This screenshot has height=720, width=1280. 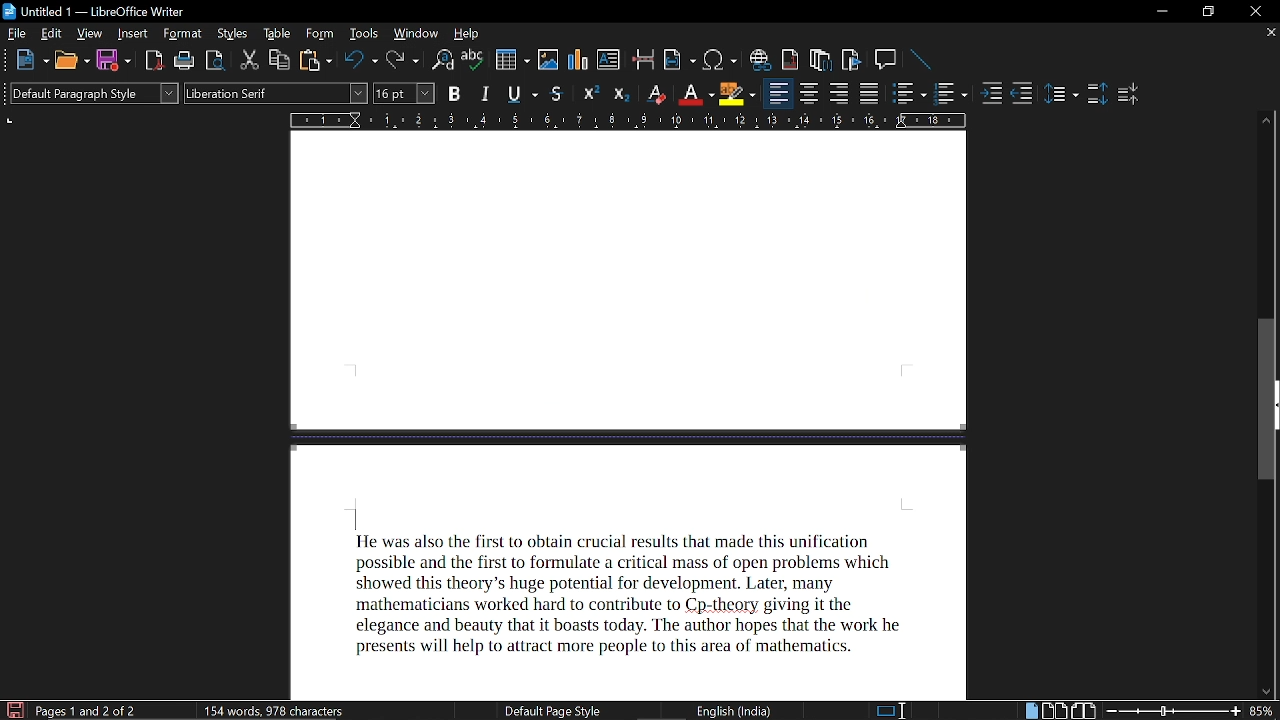 What do you see at coordinates (98, 13) in the screenshot?
I see `current window: Untitled 1 — LibreOffice Writer` at bounding box center [98, 13].